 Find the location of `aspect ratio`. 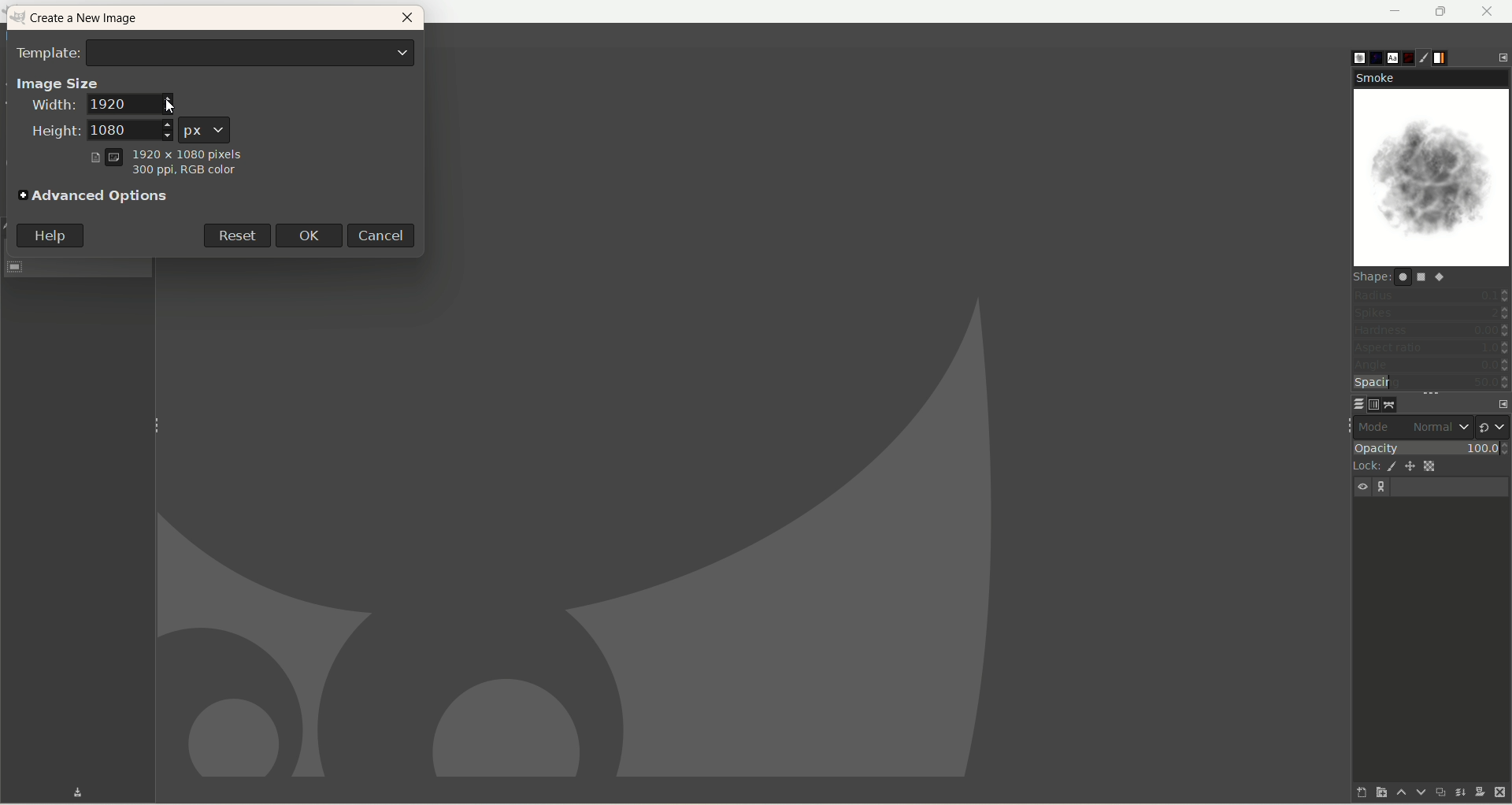

aspect ratio is located at coordinates (1432, 348).